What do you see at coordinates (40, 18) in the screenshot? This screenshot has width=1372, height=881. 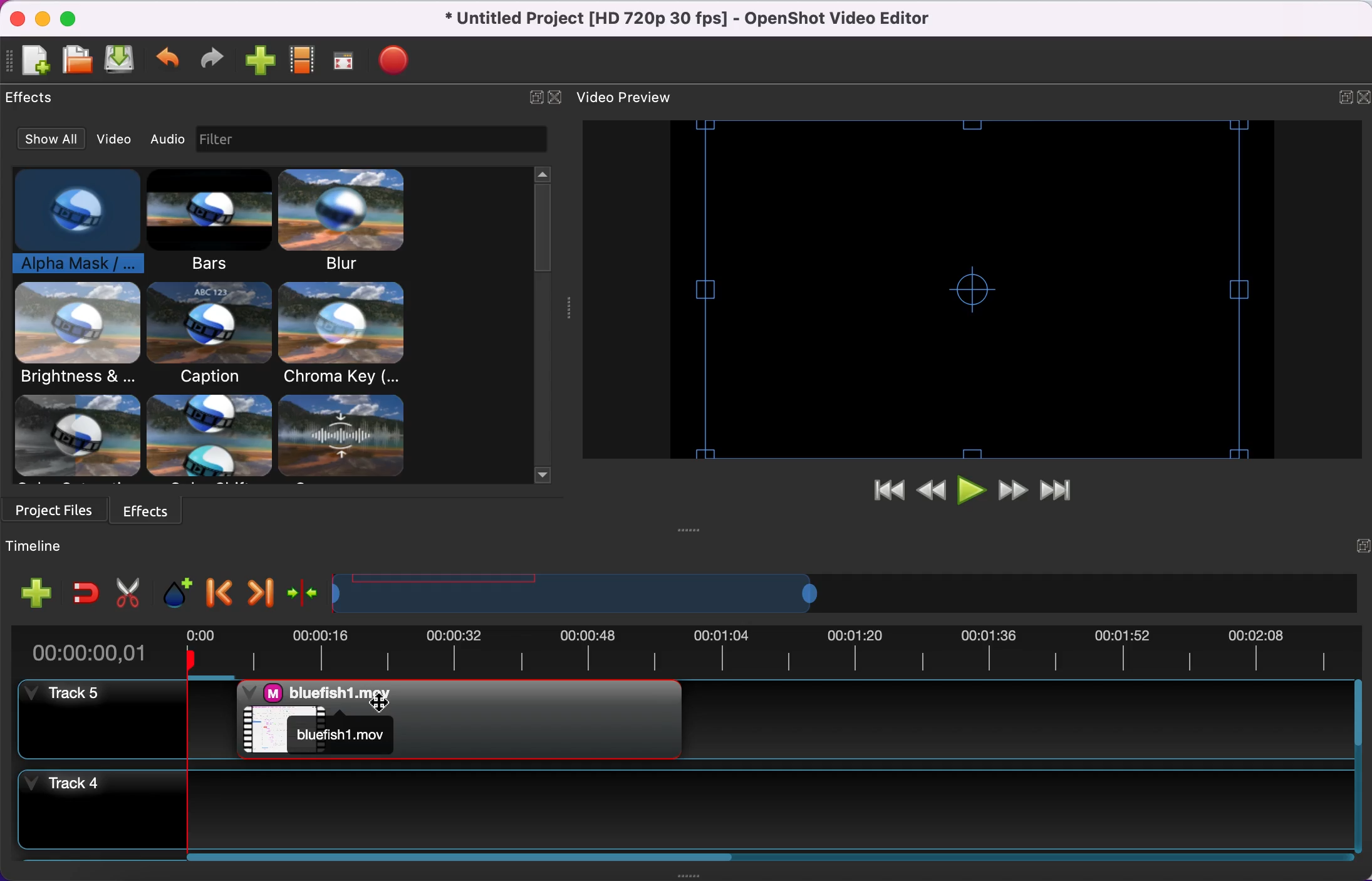 I see `minimize` at bounding box center [40, 18].